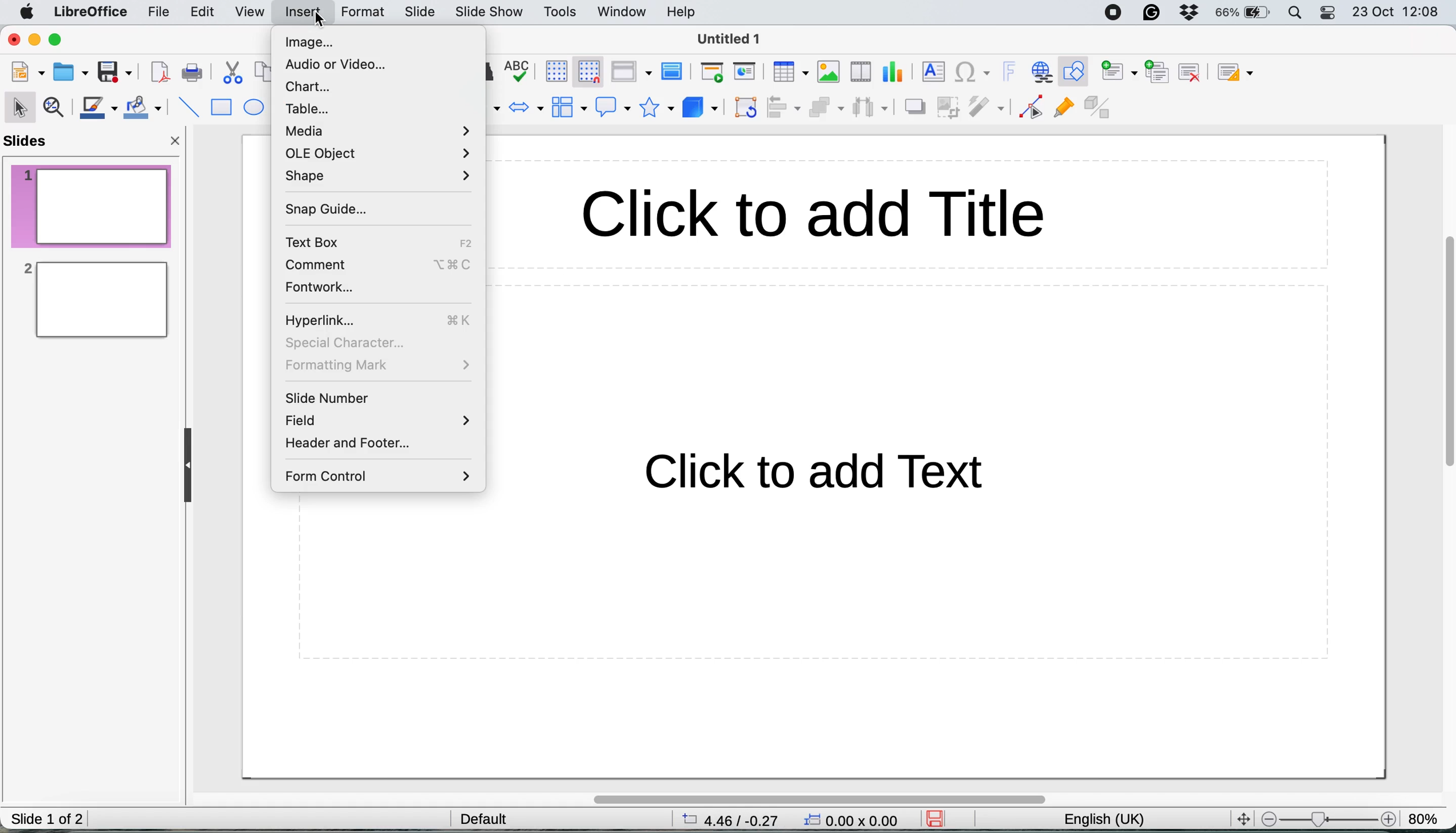 The image size is (1456, 833). Describe the element at coordinates (335, 64) in the screenshot. I see `audio or video` at that location.